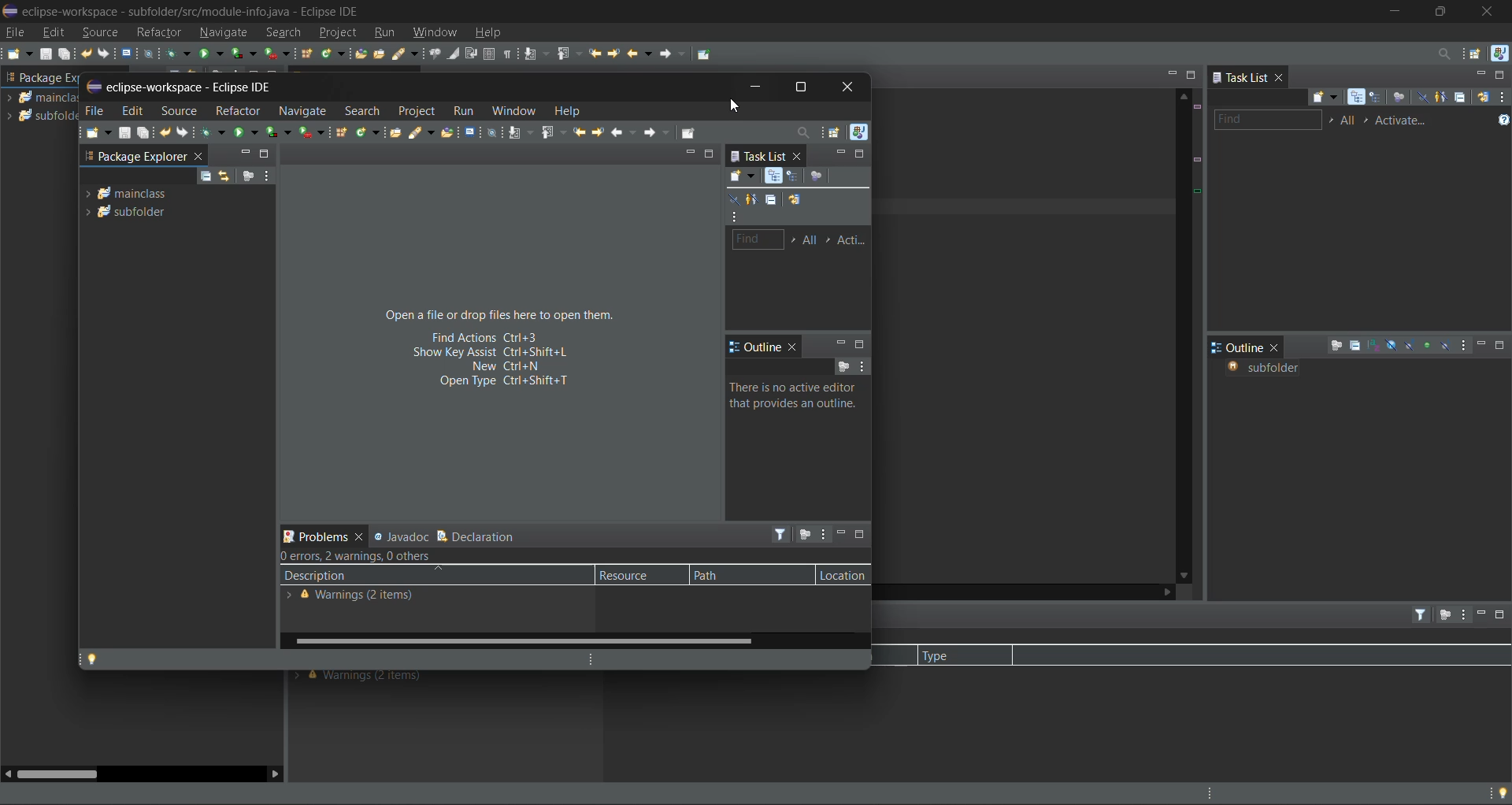  What do you see at coordinates (844, 575) in the screenshot?
I see `location` at bounding box center [844, 575].